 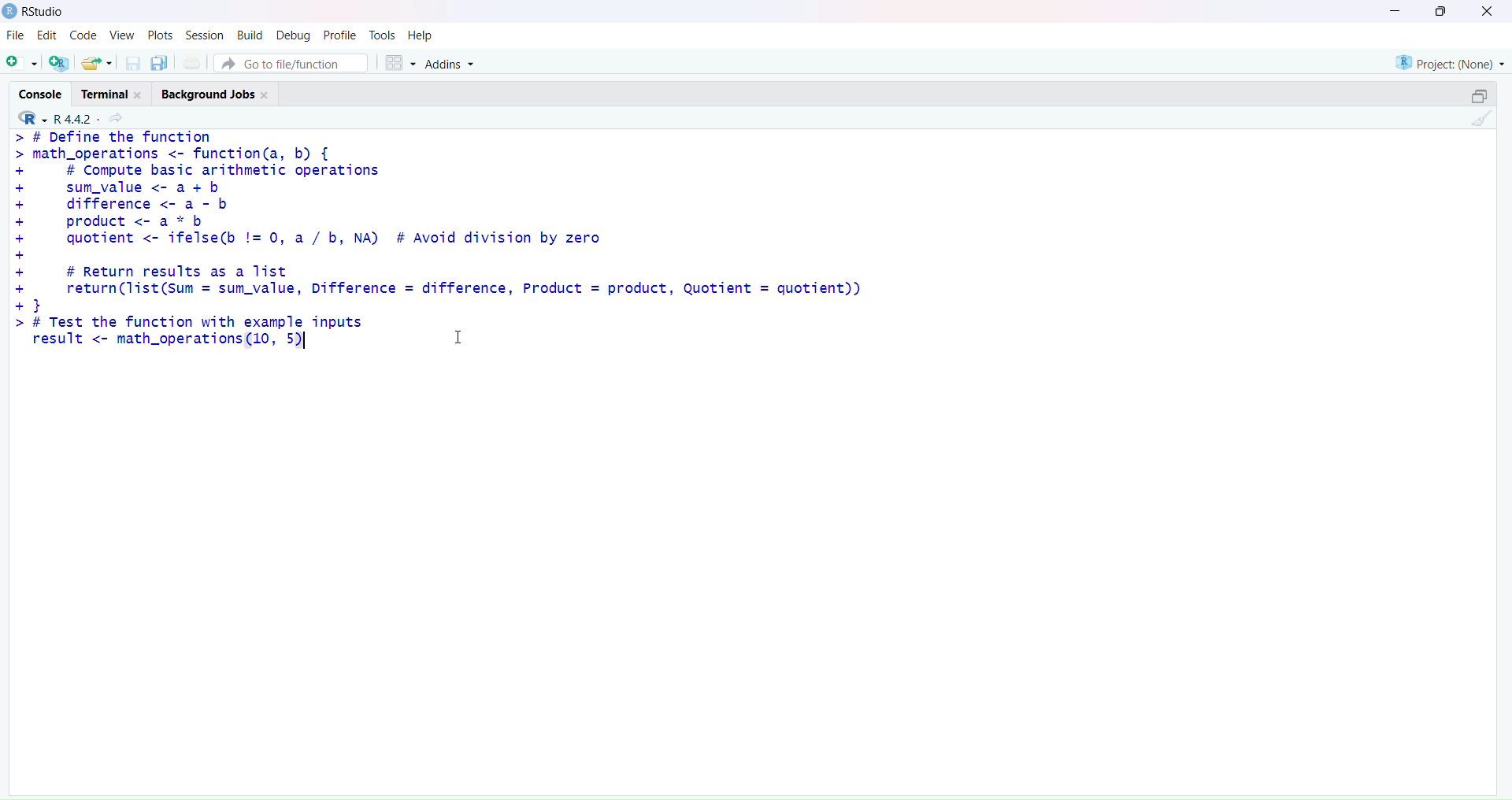 I want to click on Code, so click(x=81, y=37).